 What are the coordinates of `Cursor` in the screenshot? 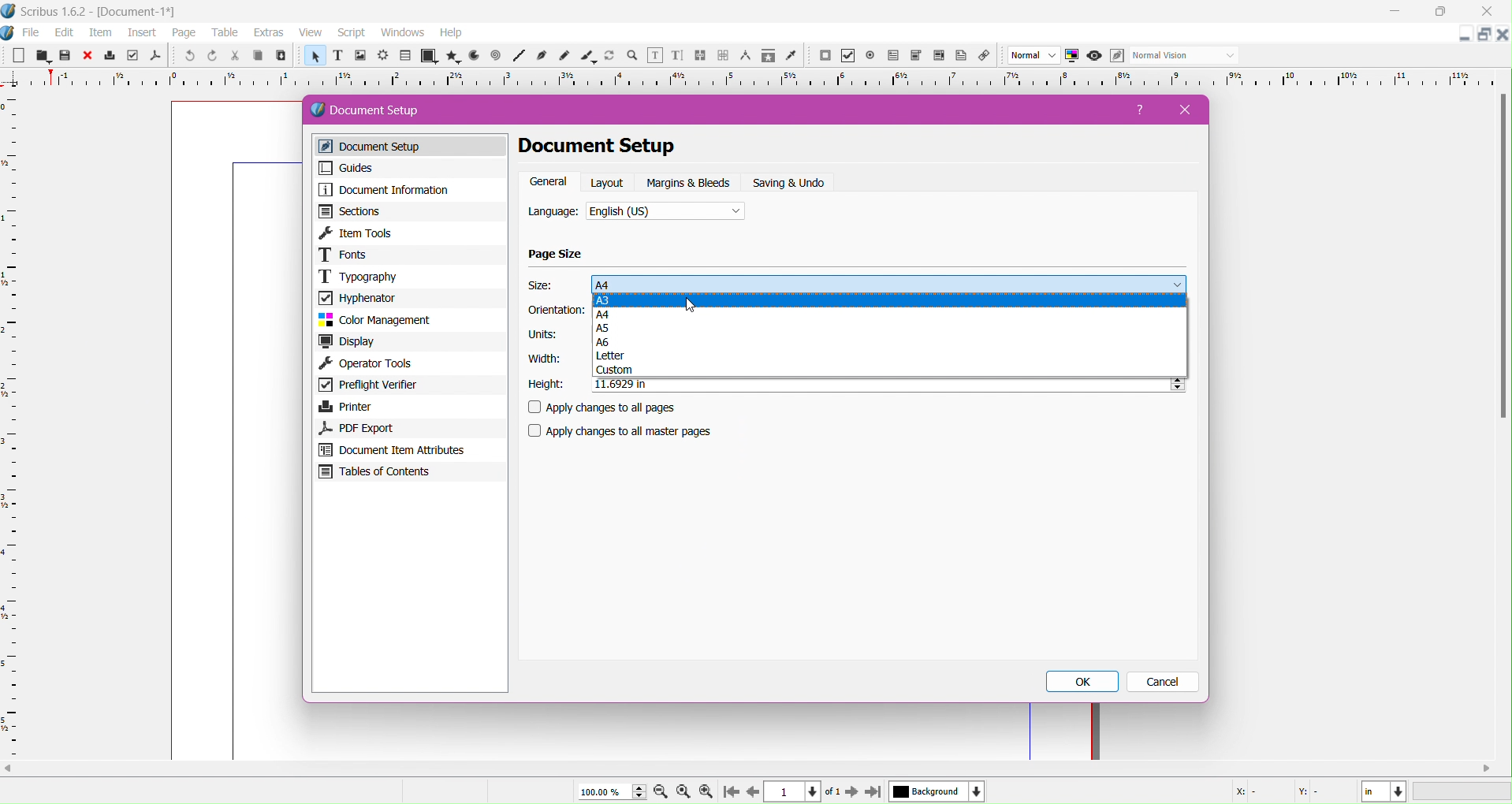 It's located at (691, 305).